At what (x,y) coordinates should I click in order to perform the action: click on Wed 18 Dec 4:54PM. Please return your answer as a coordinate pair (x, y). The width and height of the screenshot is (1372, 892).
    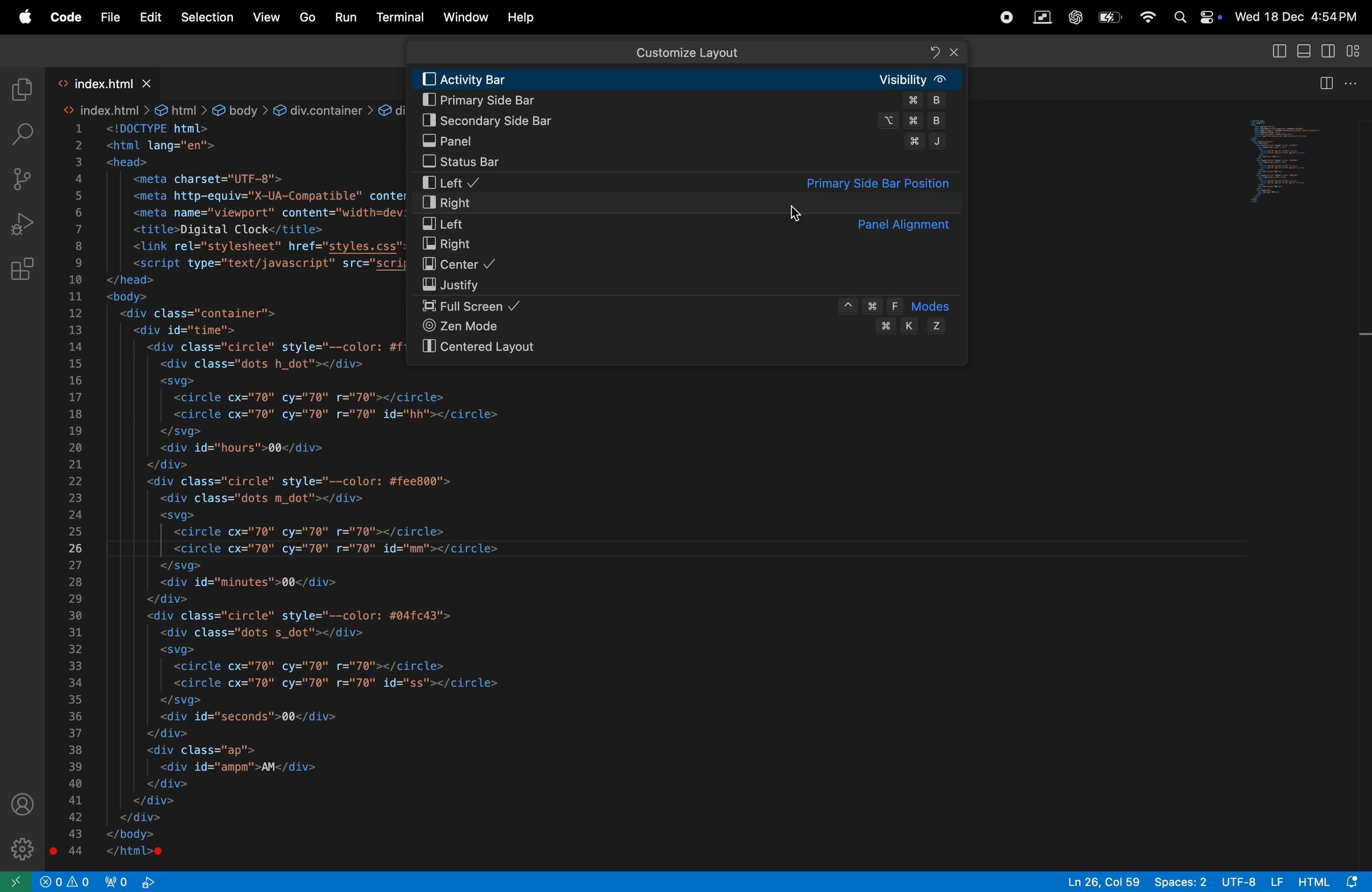
    Looking at the image, I should click on (1298, 16).